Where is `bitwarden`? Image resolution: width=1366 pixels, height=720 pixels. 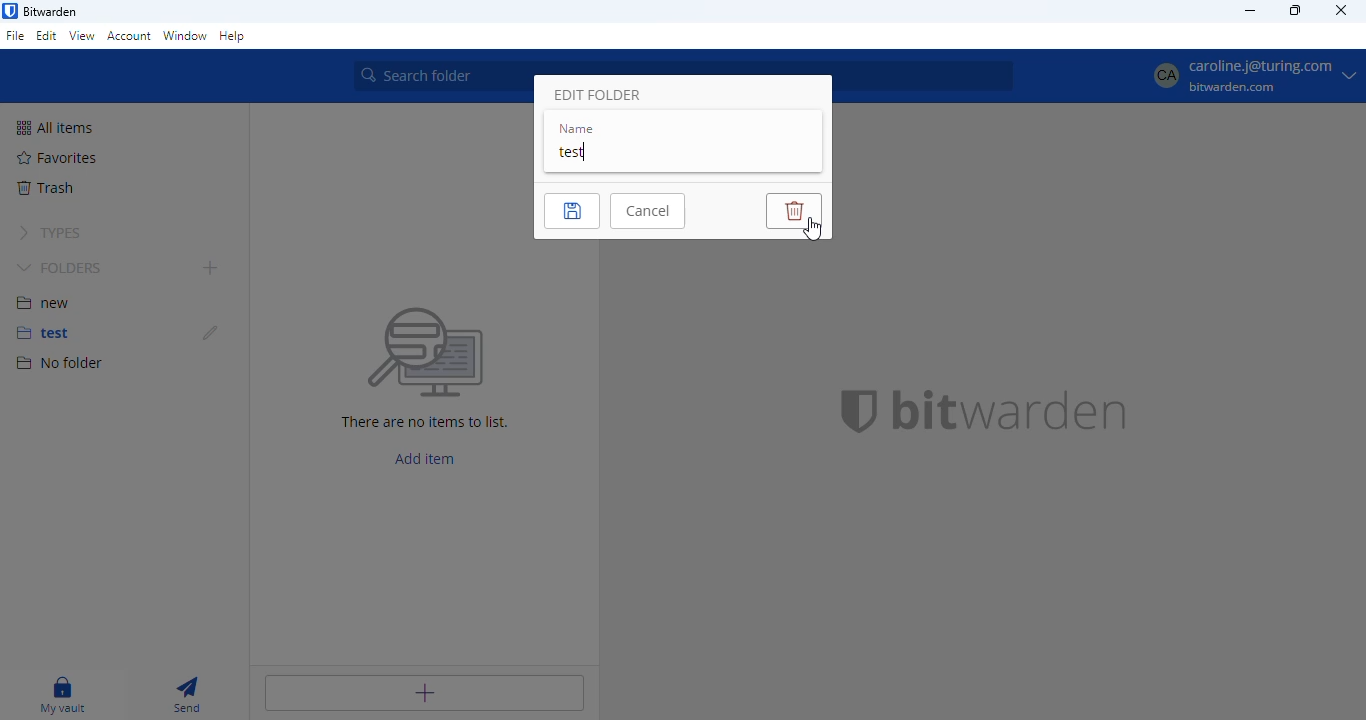
bitwarden is located at coordinates (50, 12).